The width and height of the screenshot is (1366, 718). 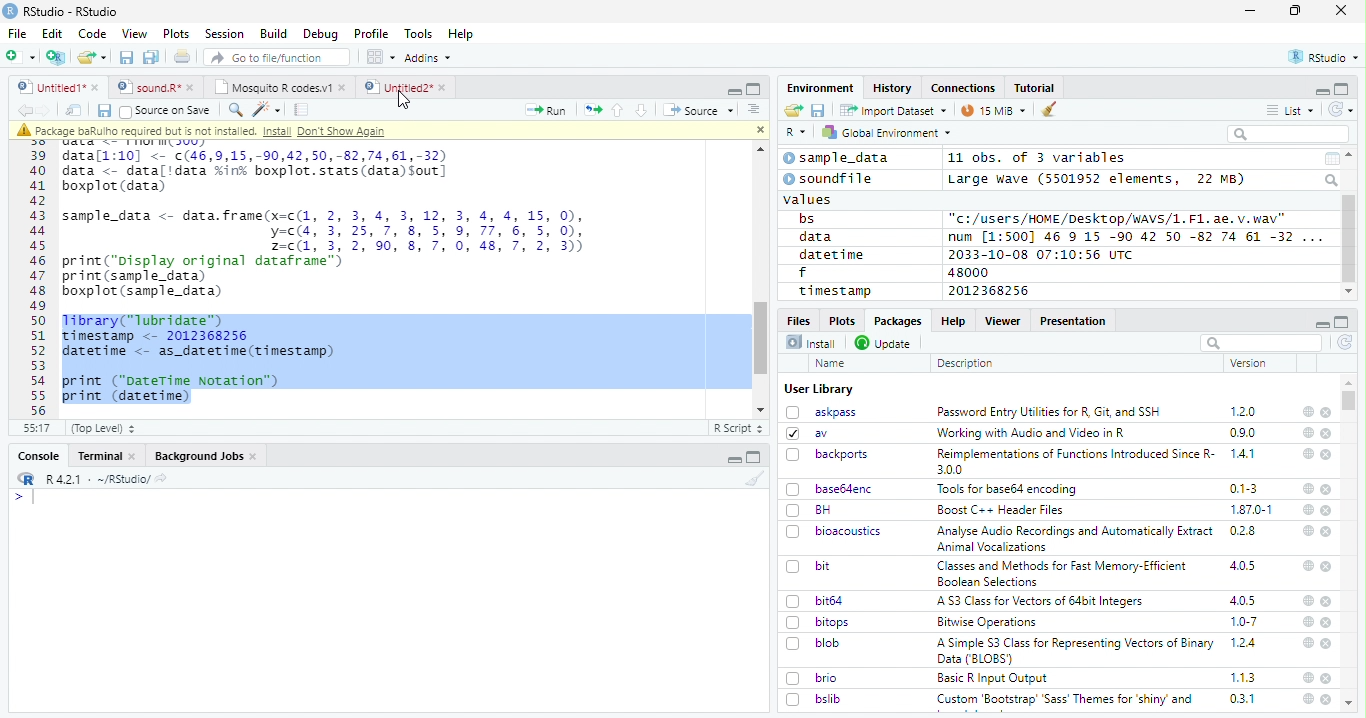 I want to click on sound.R*, so click(x=156, y=88).